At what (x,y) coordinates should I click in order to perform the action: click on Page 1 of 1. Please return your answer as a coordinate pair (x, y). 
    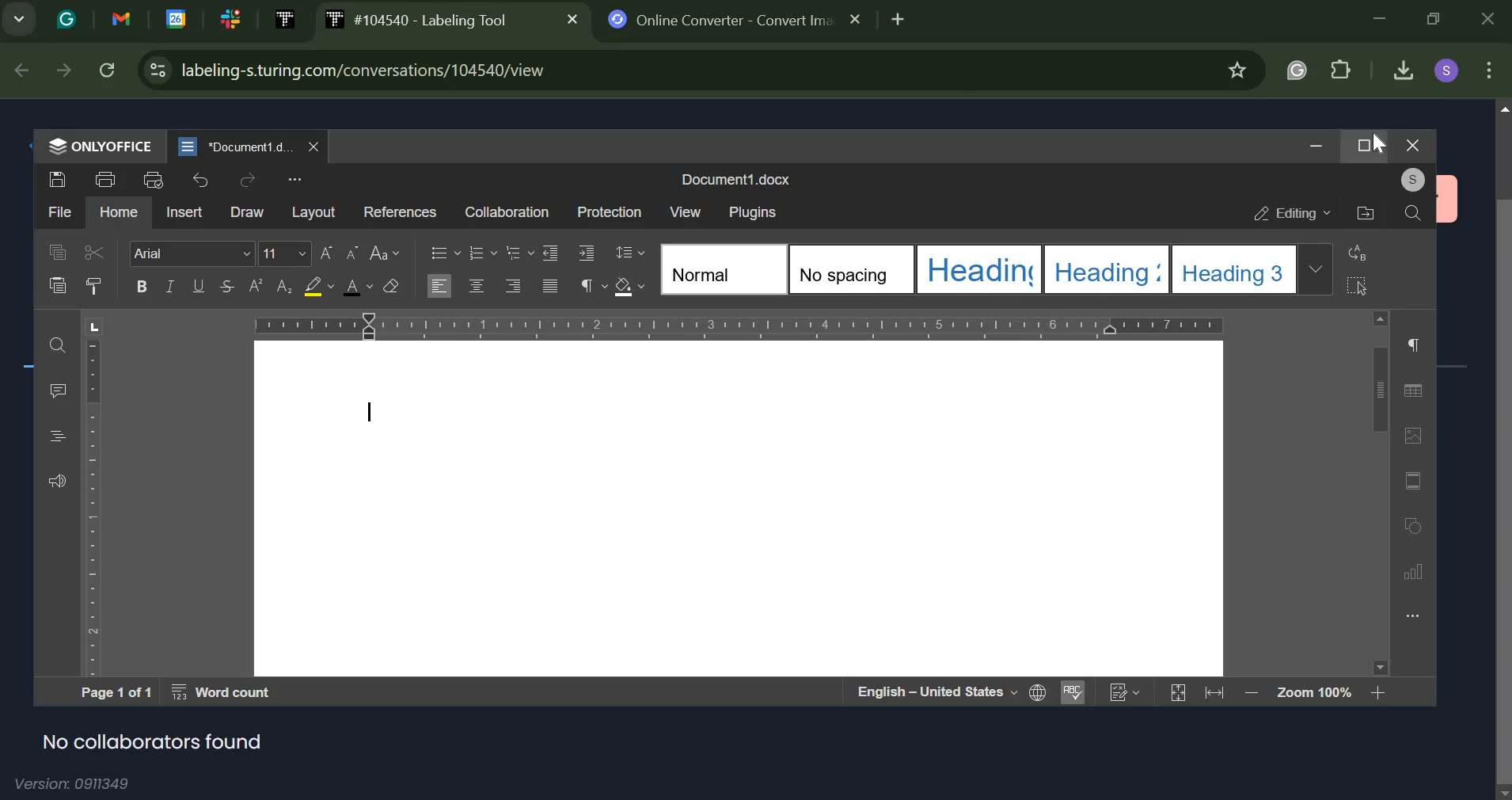
    Looking at the image, I should click on (116, 691).